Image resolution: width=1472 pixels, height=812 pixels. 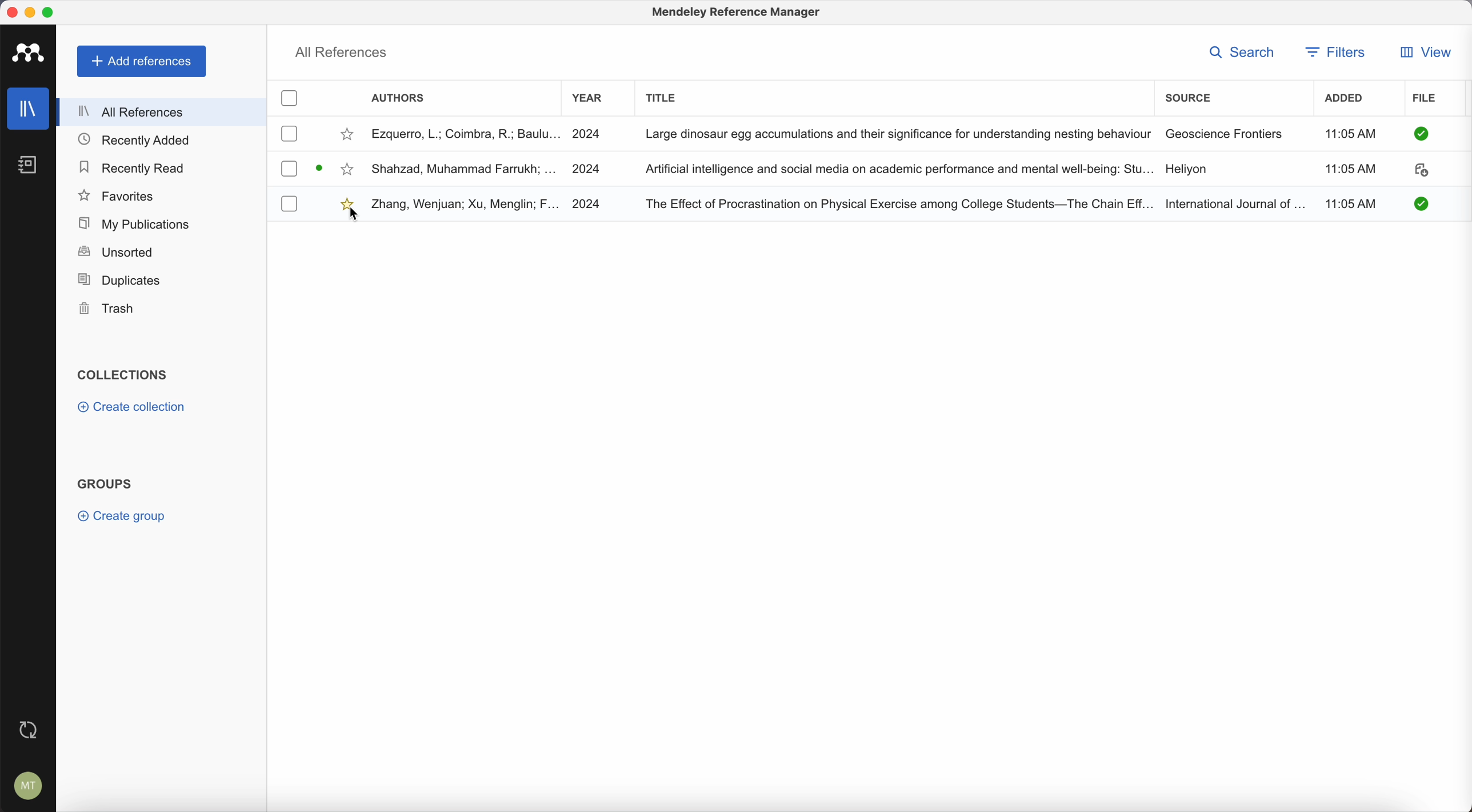 What do you see at coordinates (1354, 202) in the screenshot?
I see `11:05 AM` at bounding box center [1354, 202].